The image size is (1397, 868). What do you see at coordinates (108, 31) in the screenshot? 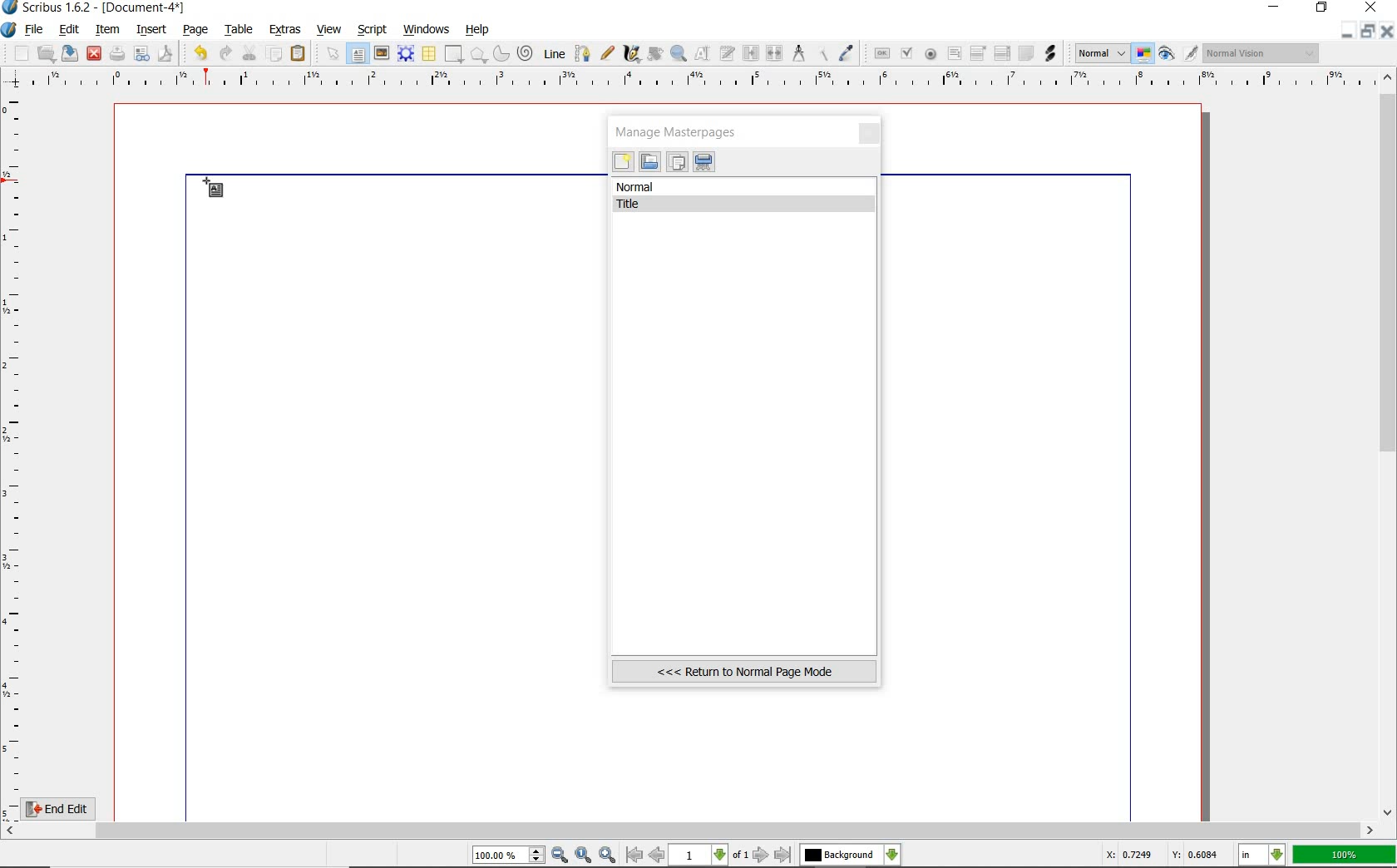
I see `item` at bounding box center [108, 31].